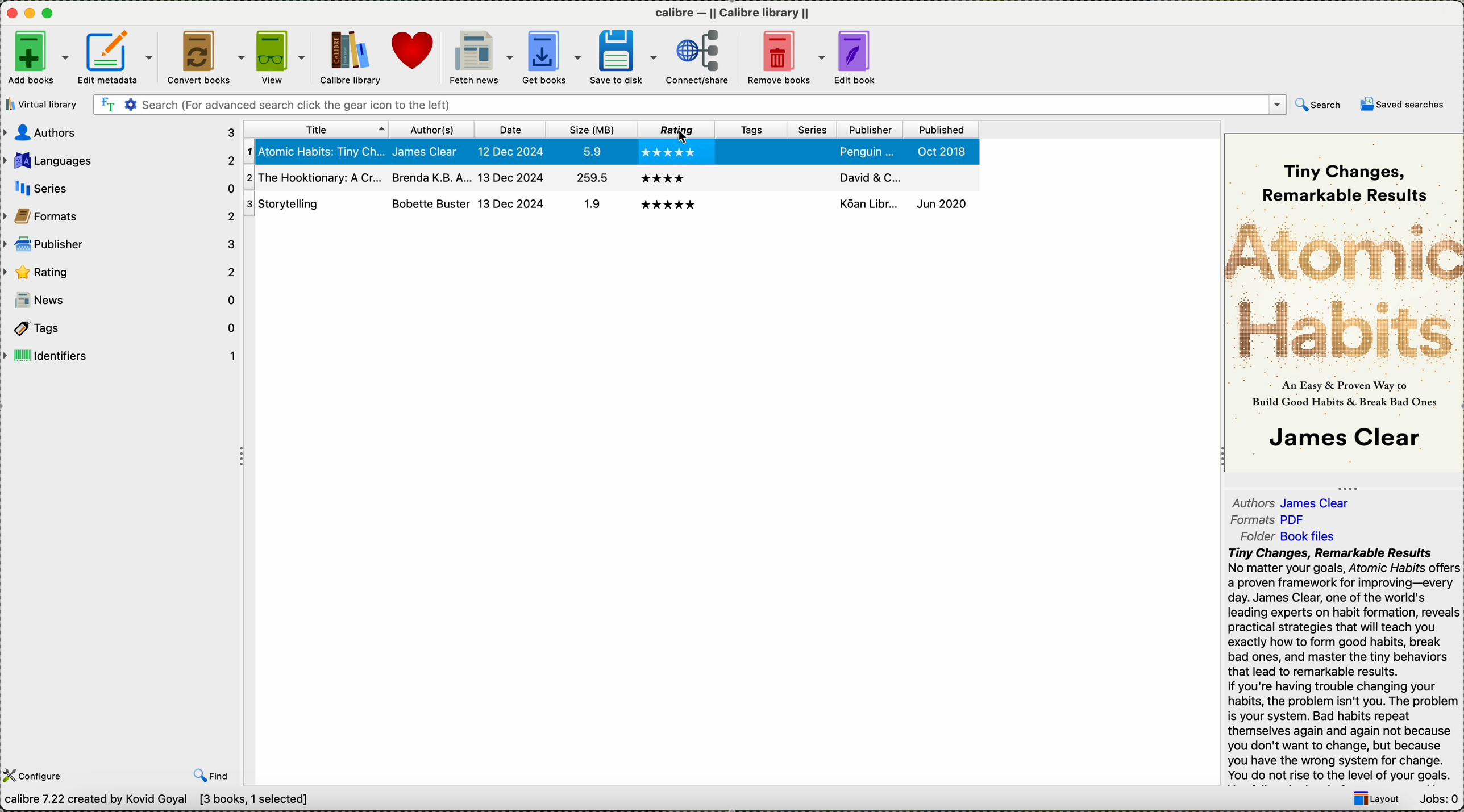 The width and height of the screenshot is (1464, 812). Describe the element at coordinates (754, 150) in the screenshot. I see `tags` at that location.